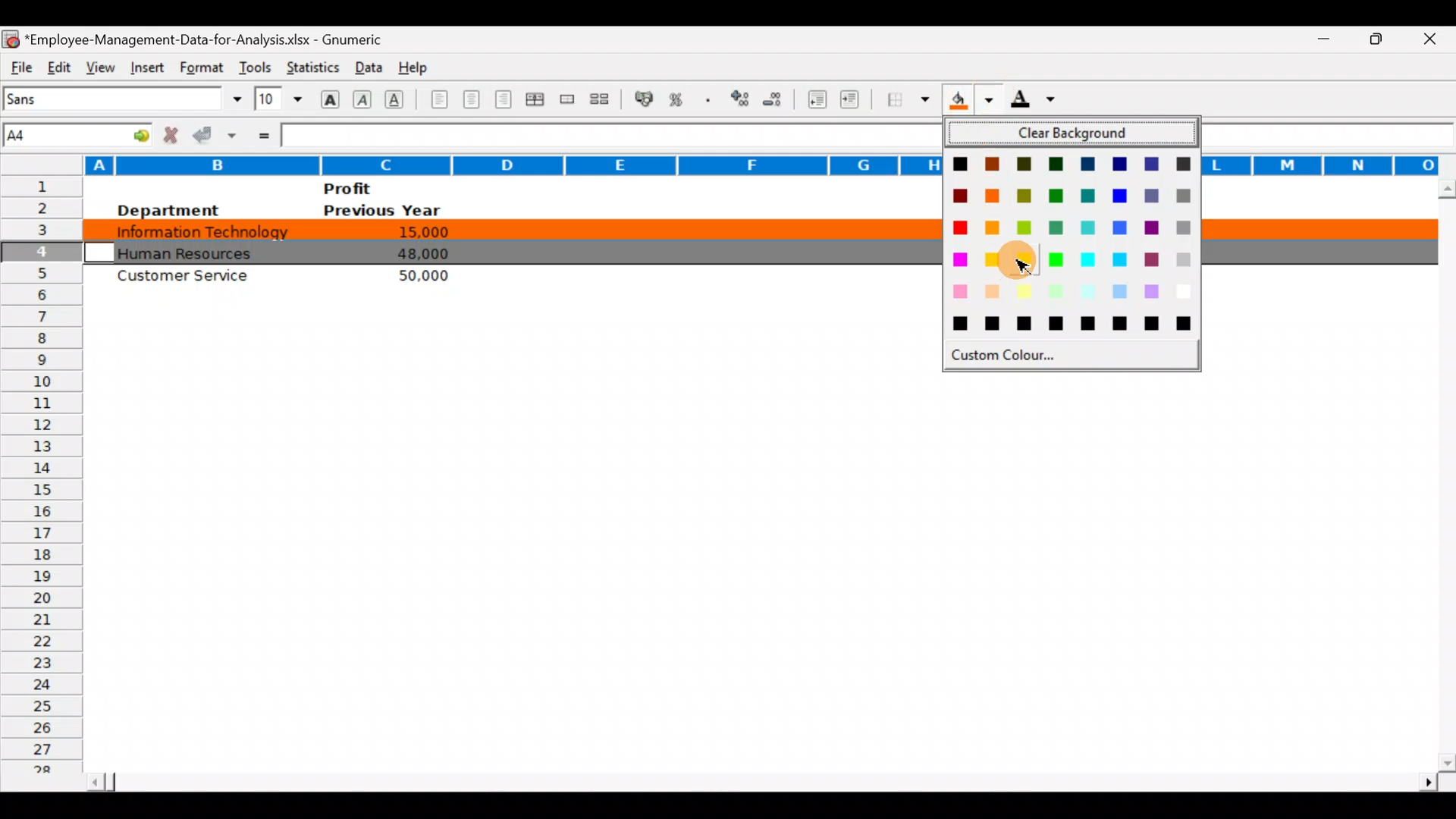  Describe the element at coordinates (1038, 104) in the screenshot. I see `Foreground` at that location.